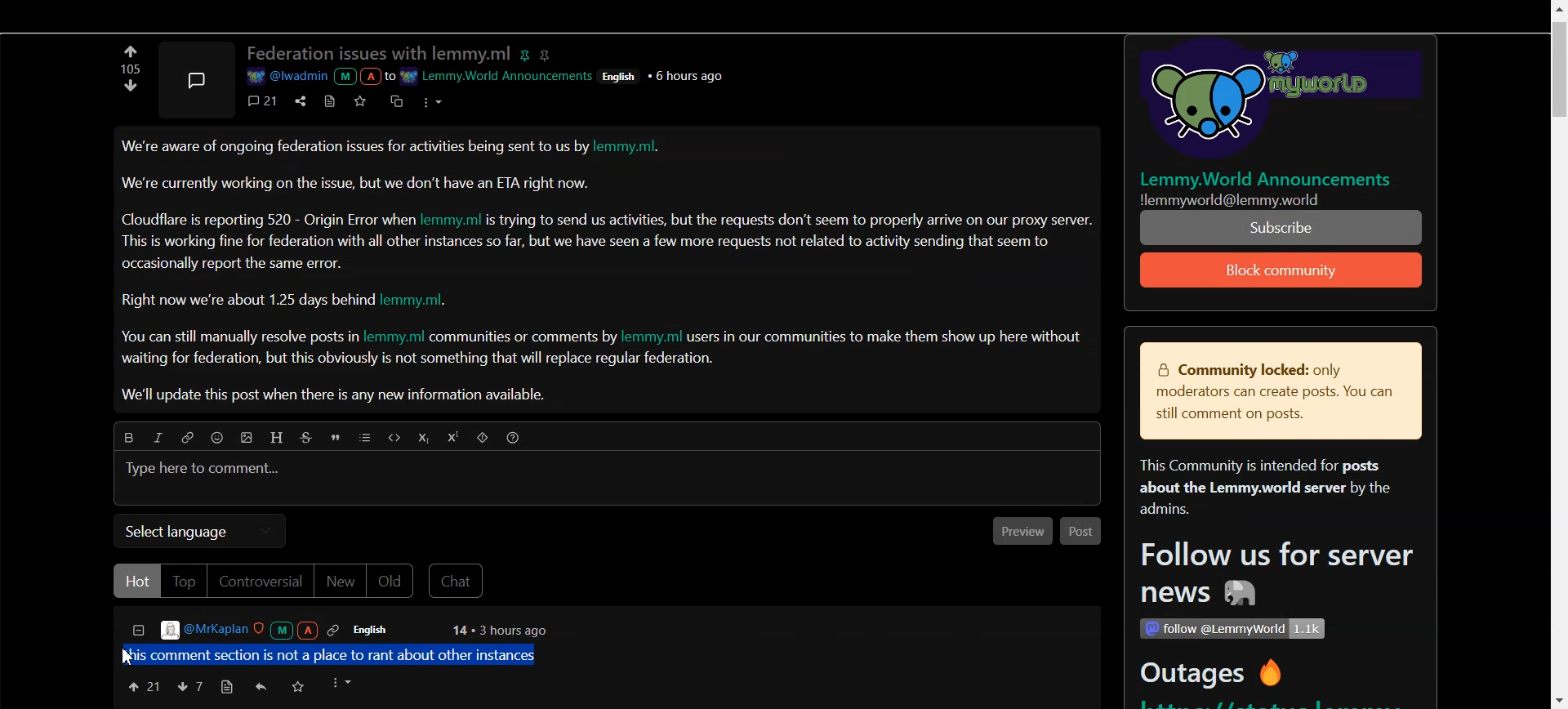 This screenshot has height=709, width=1568. I want to click on List , so click(366, 439).